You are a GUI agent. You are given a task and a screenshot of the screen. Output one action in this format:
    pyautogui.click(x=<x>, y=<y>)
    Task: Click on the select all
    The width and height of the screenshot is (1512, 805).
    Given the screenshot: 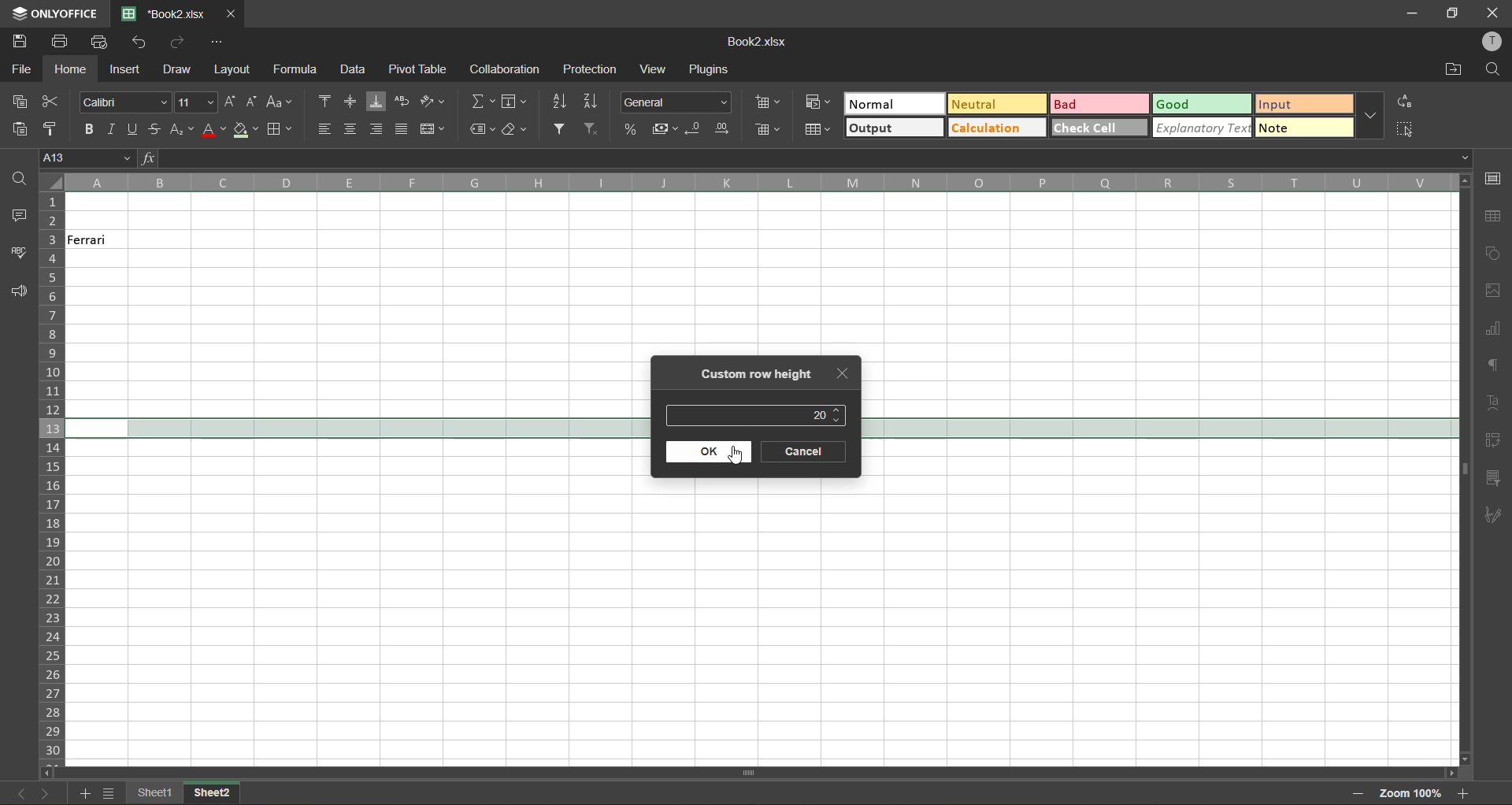 What is the action you would take?
    pyautogui.click(x=1403, y=129)
    